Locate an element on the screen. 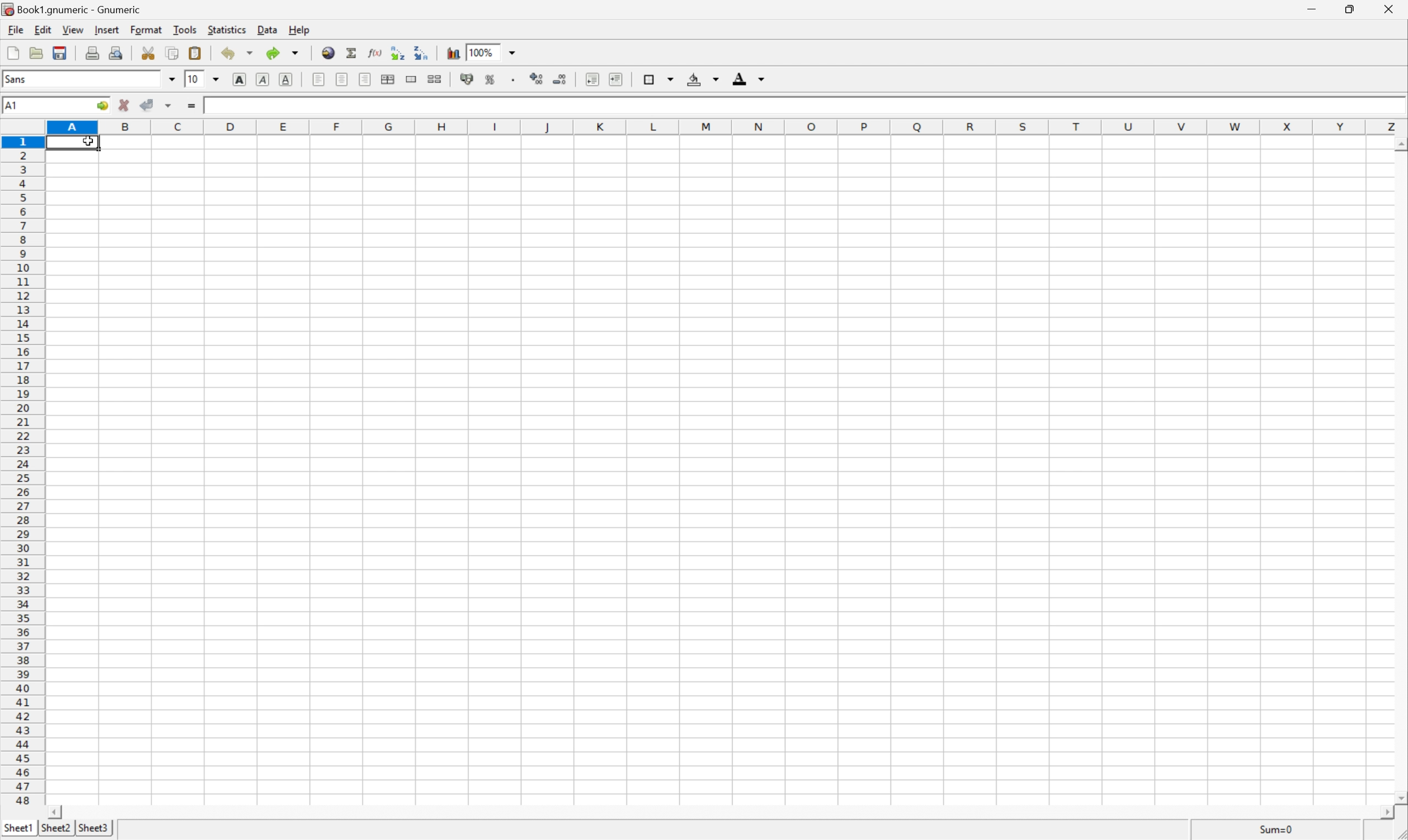  data is located at coordinates (265, 31).